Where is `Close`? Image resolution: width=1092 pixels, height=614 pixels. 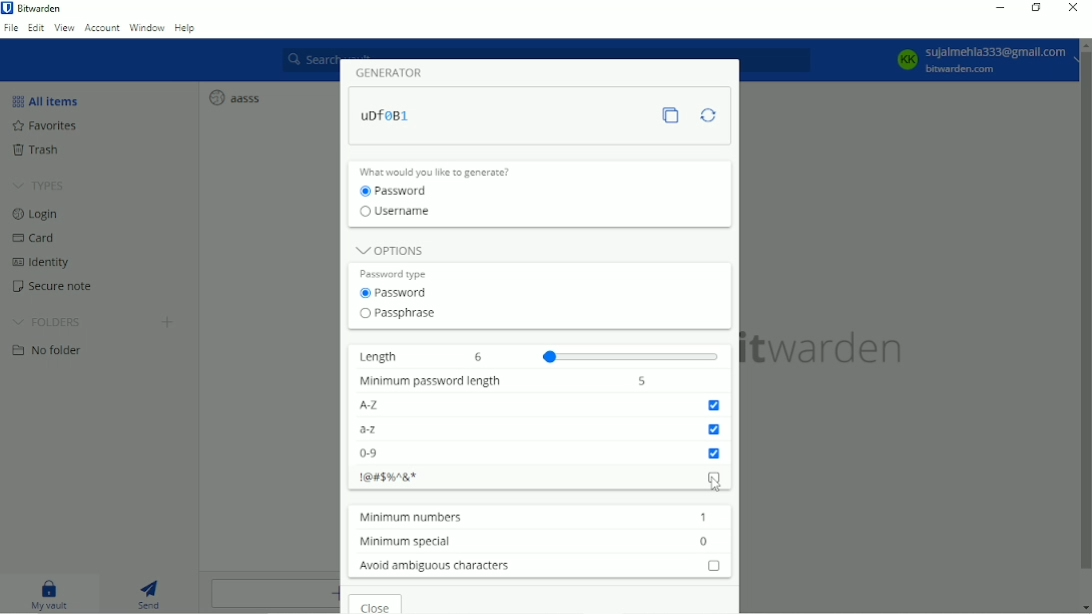 Close is located at coordinates (375, 604).